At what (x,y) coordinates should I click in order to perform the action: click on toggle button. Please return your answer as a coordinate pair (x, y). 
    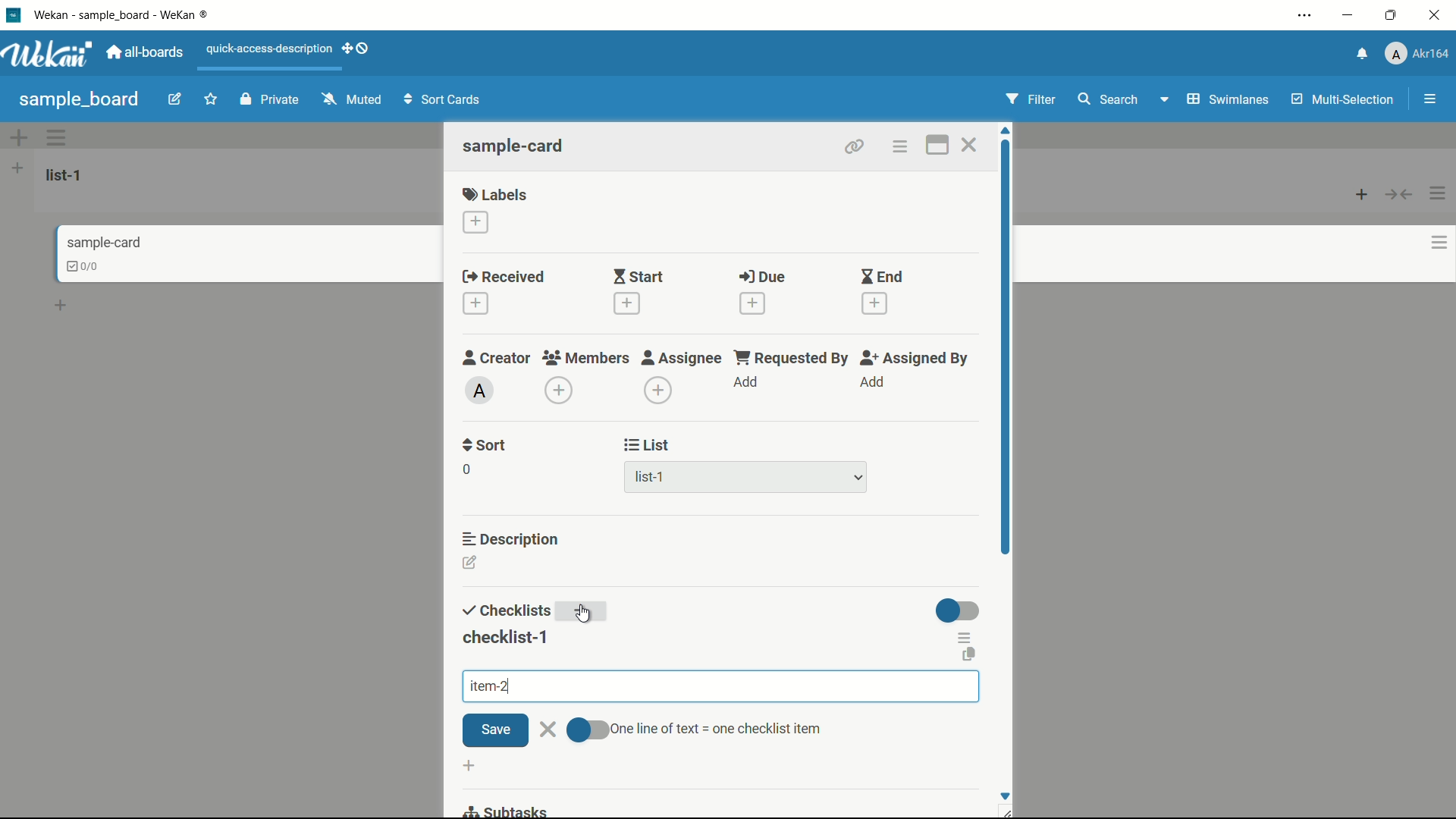
    Looking at the image, I should click on (585, 730).